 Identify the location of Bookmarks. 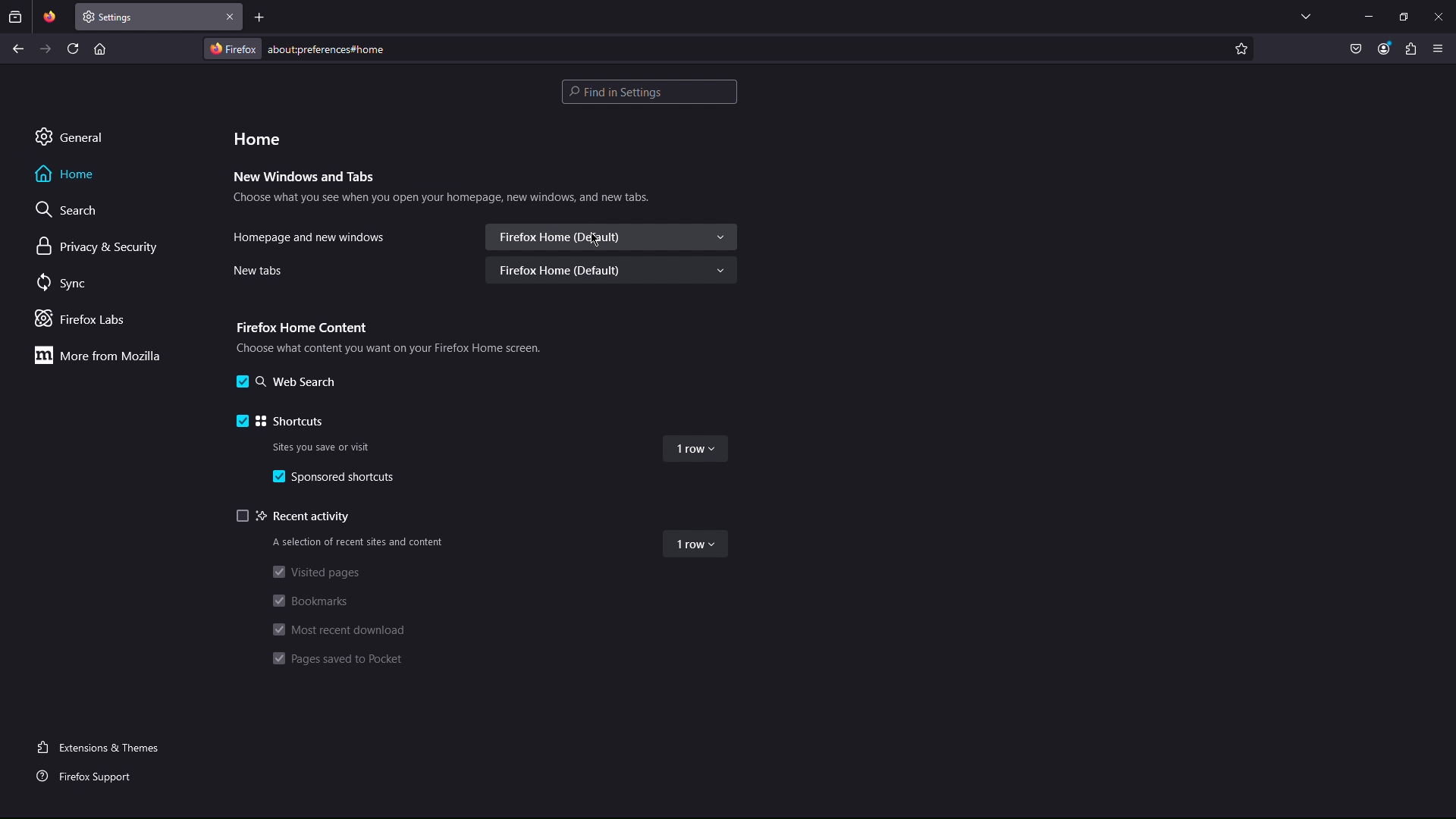
(314, 601).